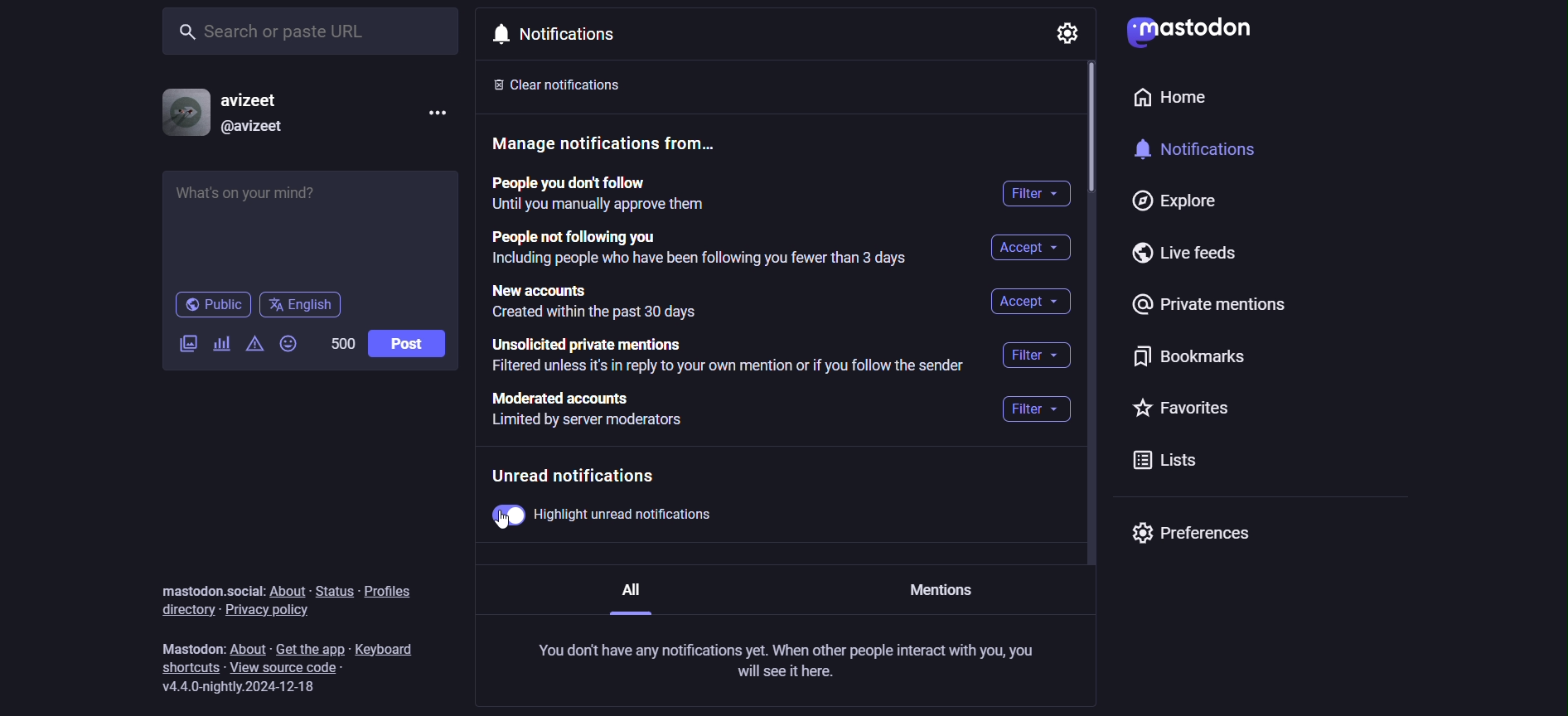  What do you see at coordinates (1062, 33) in the screenshot?
I see `setting` at bounding box center [1062, 33].